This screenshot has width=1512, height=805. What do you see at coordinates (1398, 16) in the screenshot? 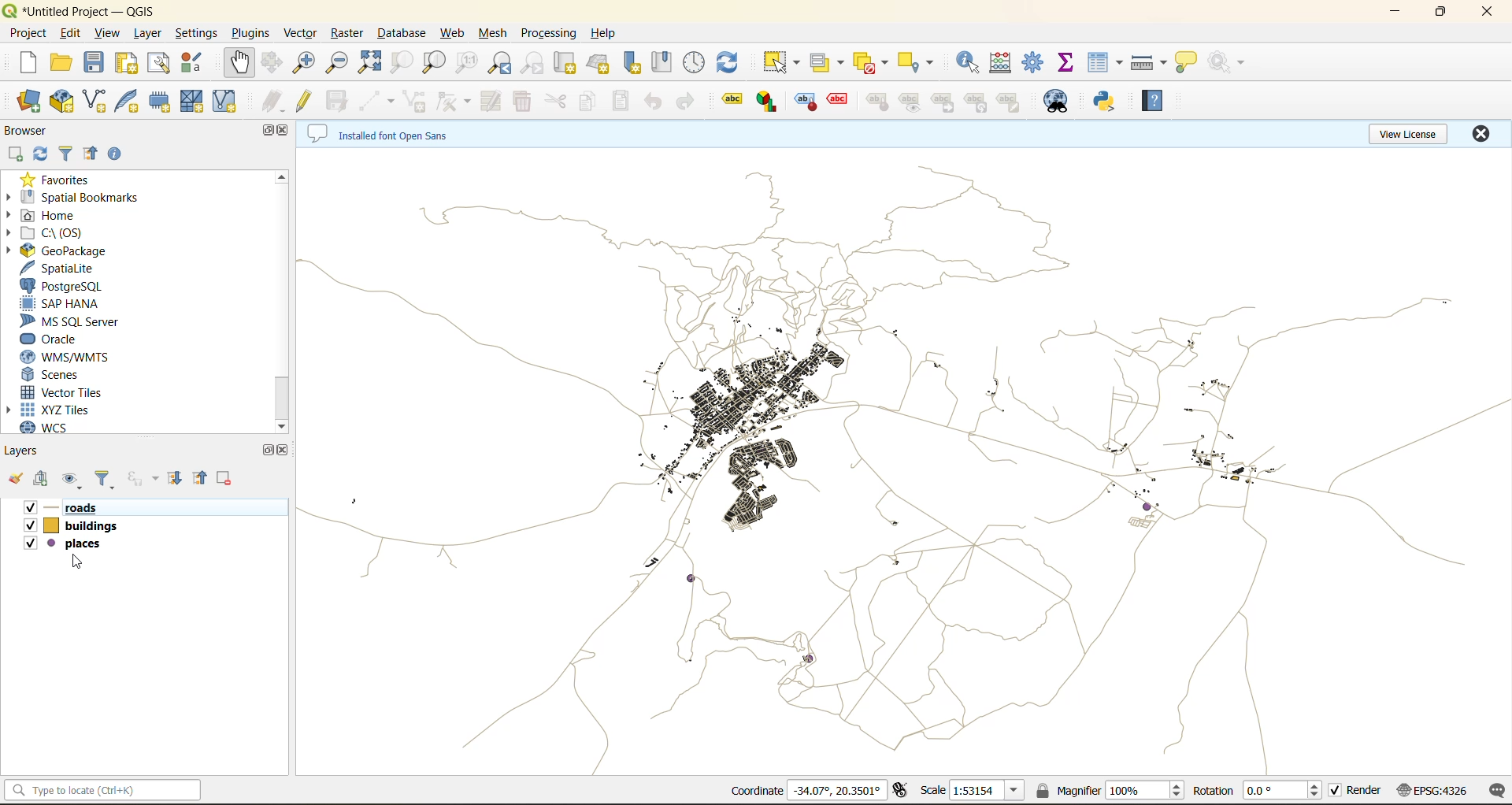
I see `minimize` at bounding box center [1398, 16].